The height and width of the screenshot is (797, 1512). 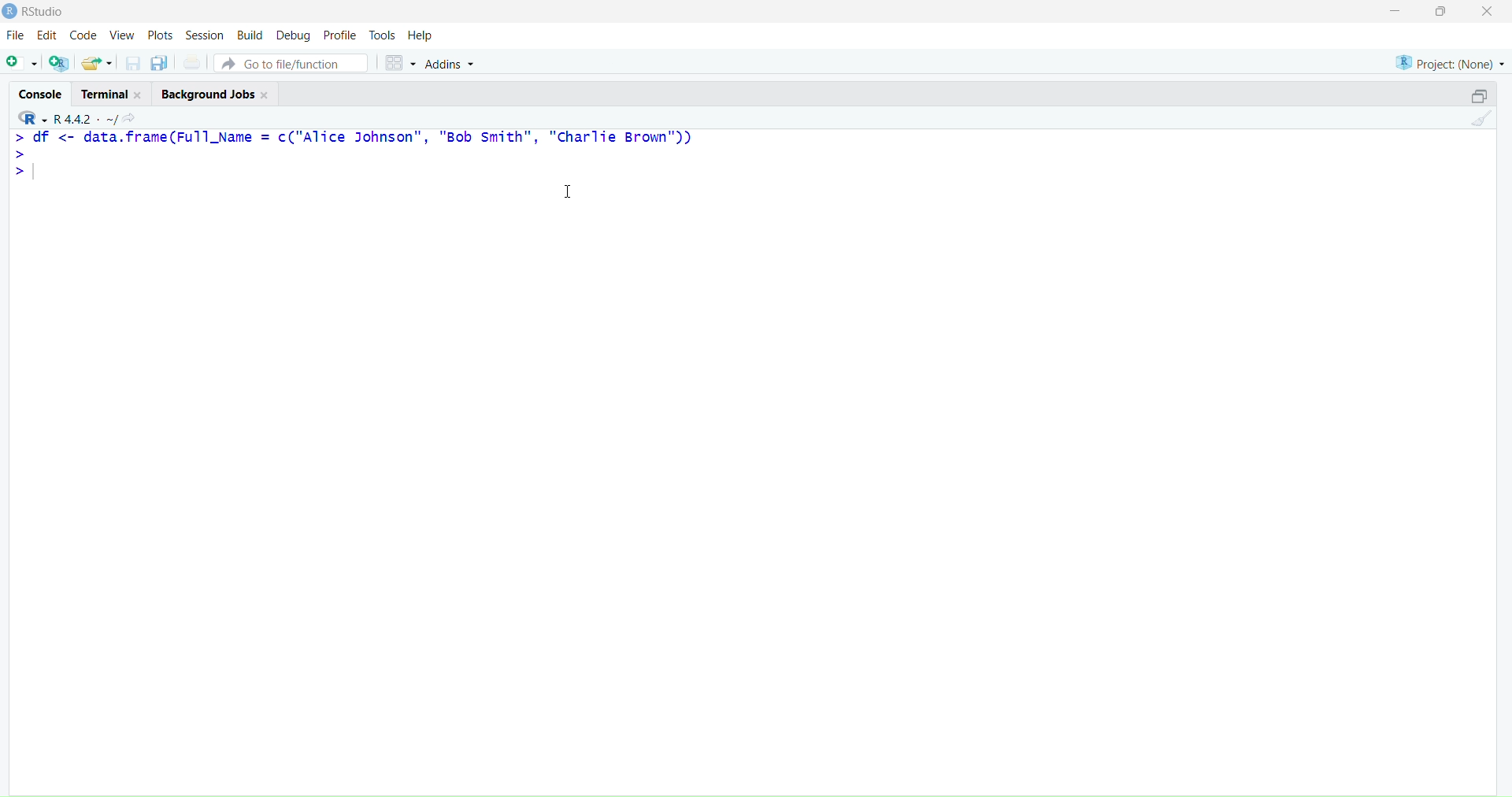 What do you see at coordinates (113, 91) in the screenshot?
I see `Terminal` at bounding box center [113, 91].